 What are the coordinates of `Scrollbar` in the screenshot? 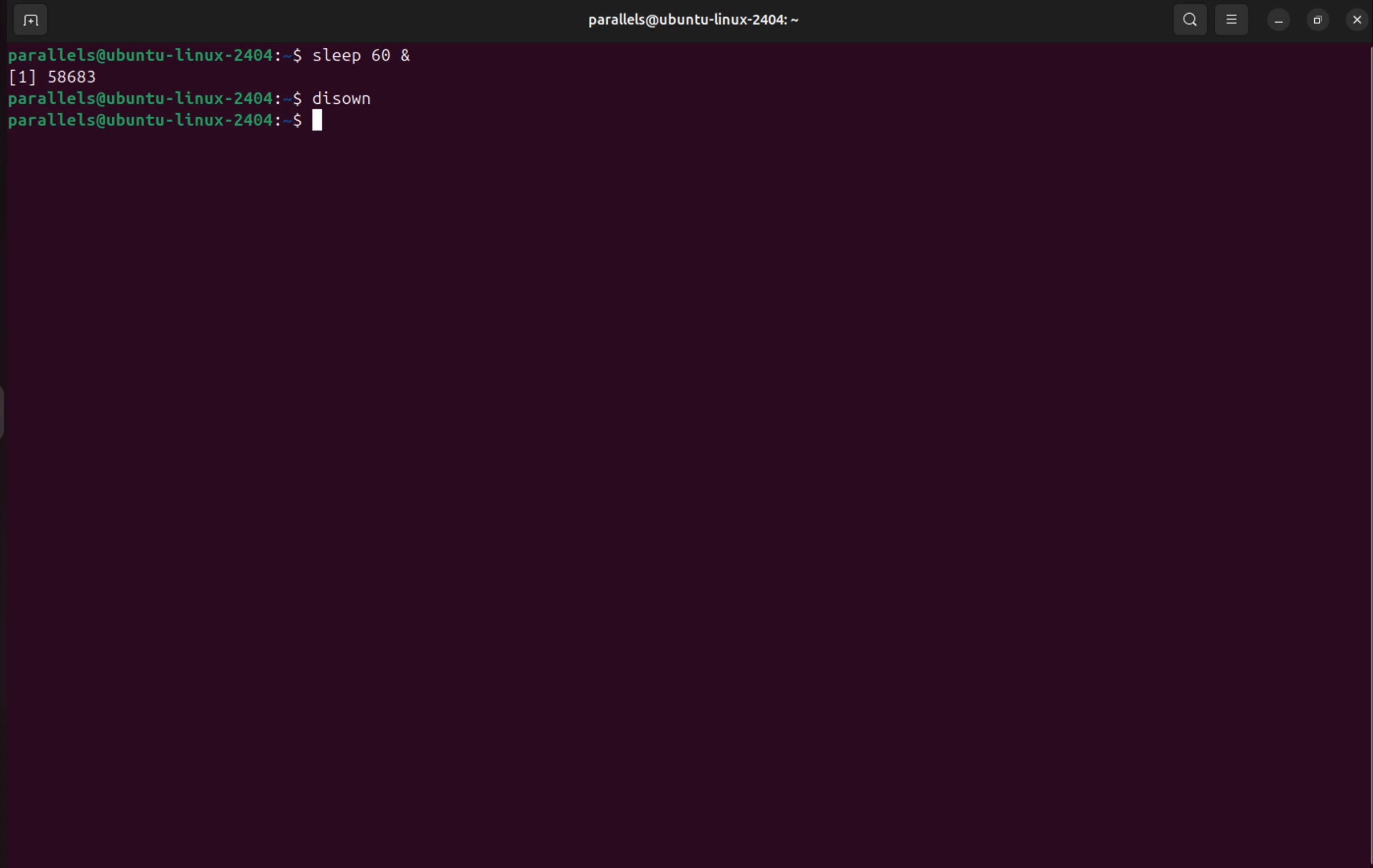 It's located at (1364, 417).